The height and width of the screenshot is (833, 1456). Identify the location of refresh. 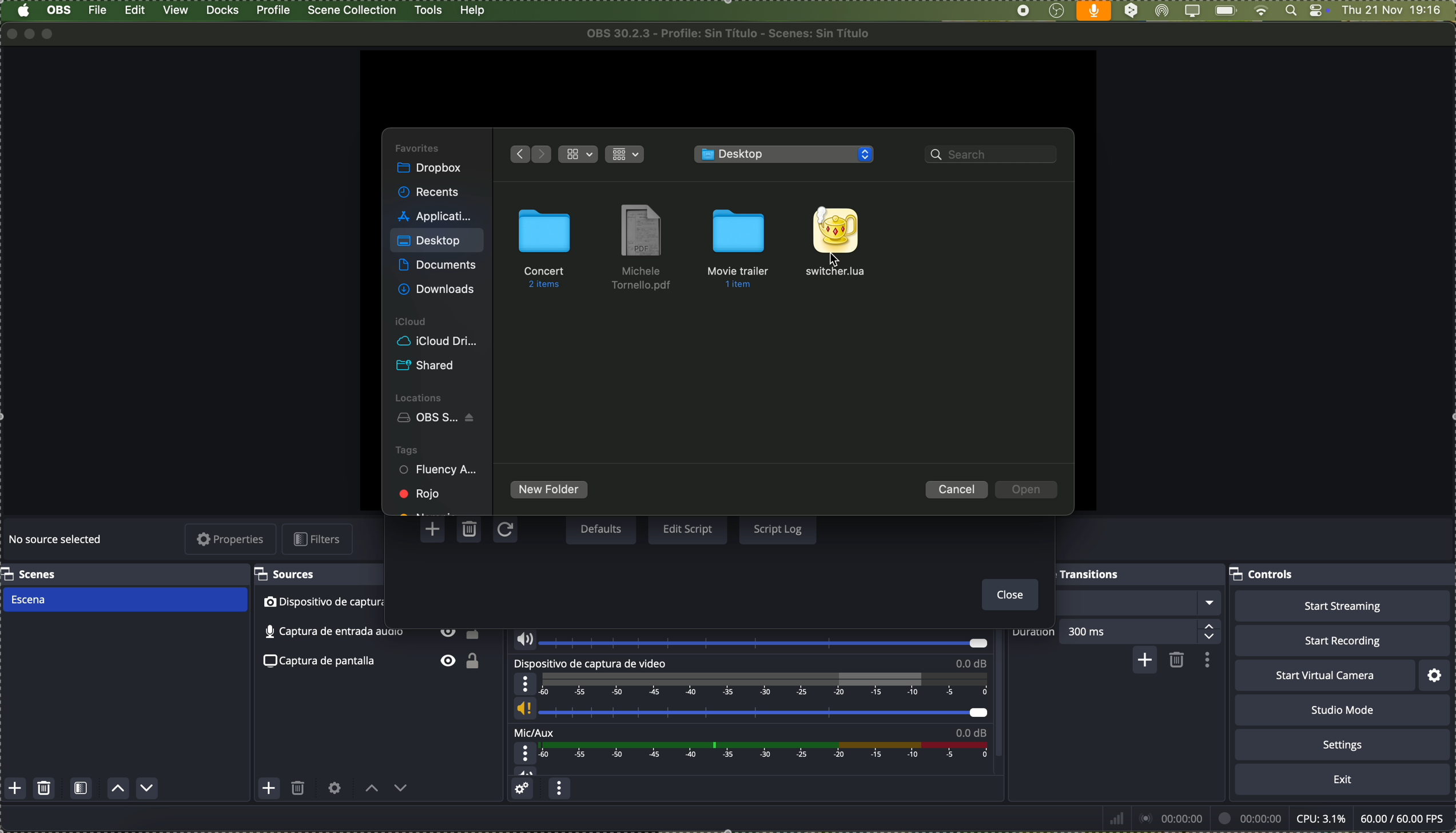
(504, 531).